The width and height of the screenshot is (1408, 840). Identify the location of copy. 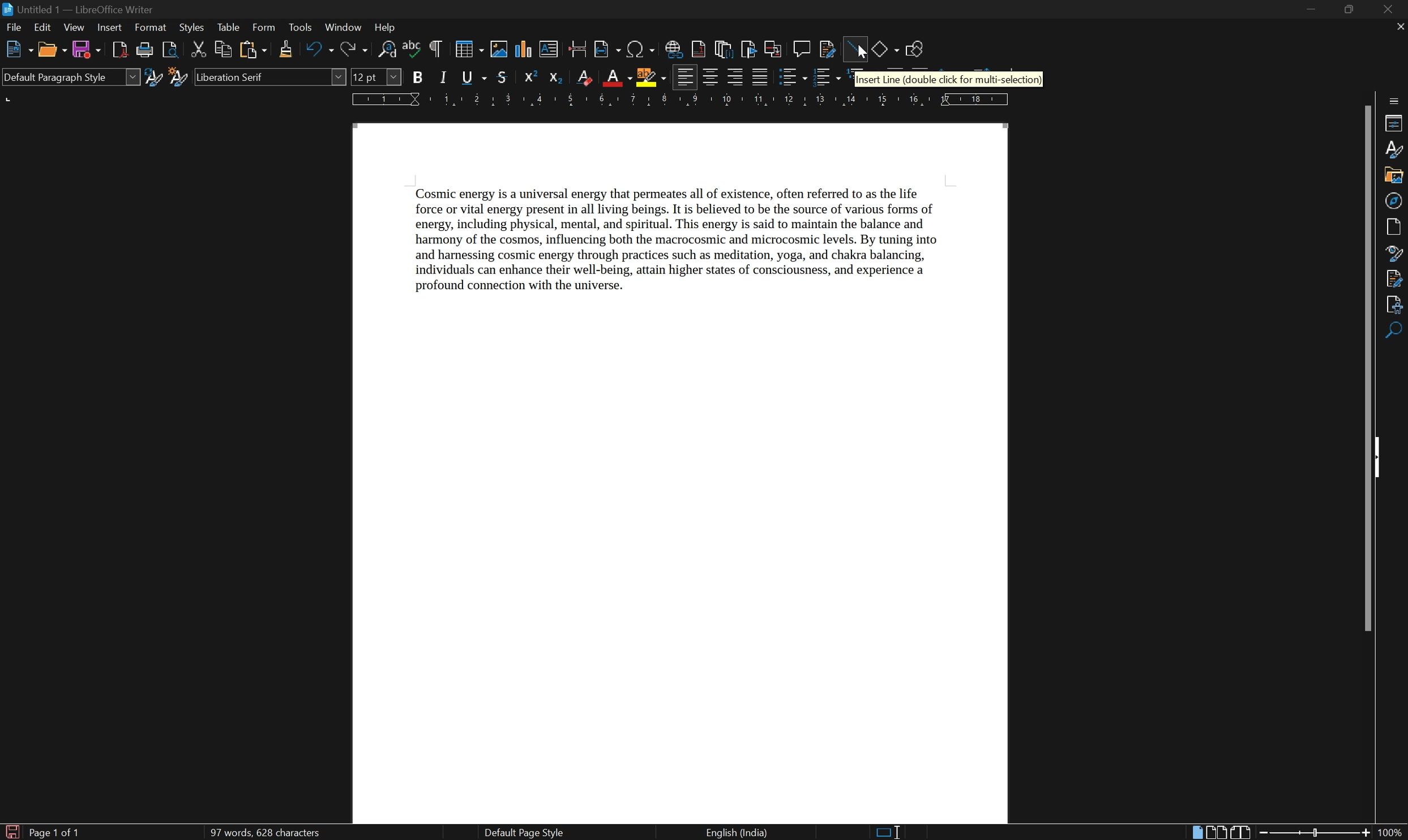
(222, 49).